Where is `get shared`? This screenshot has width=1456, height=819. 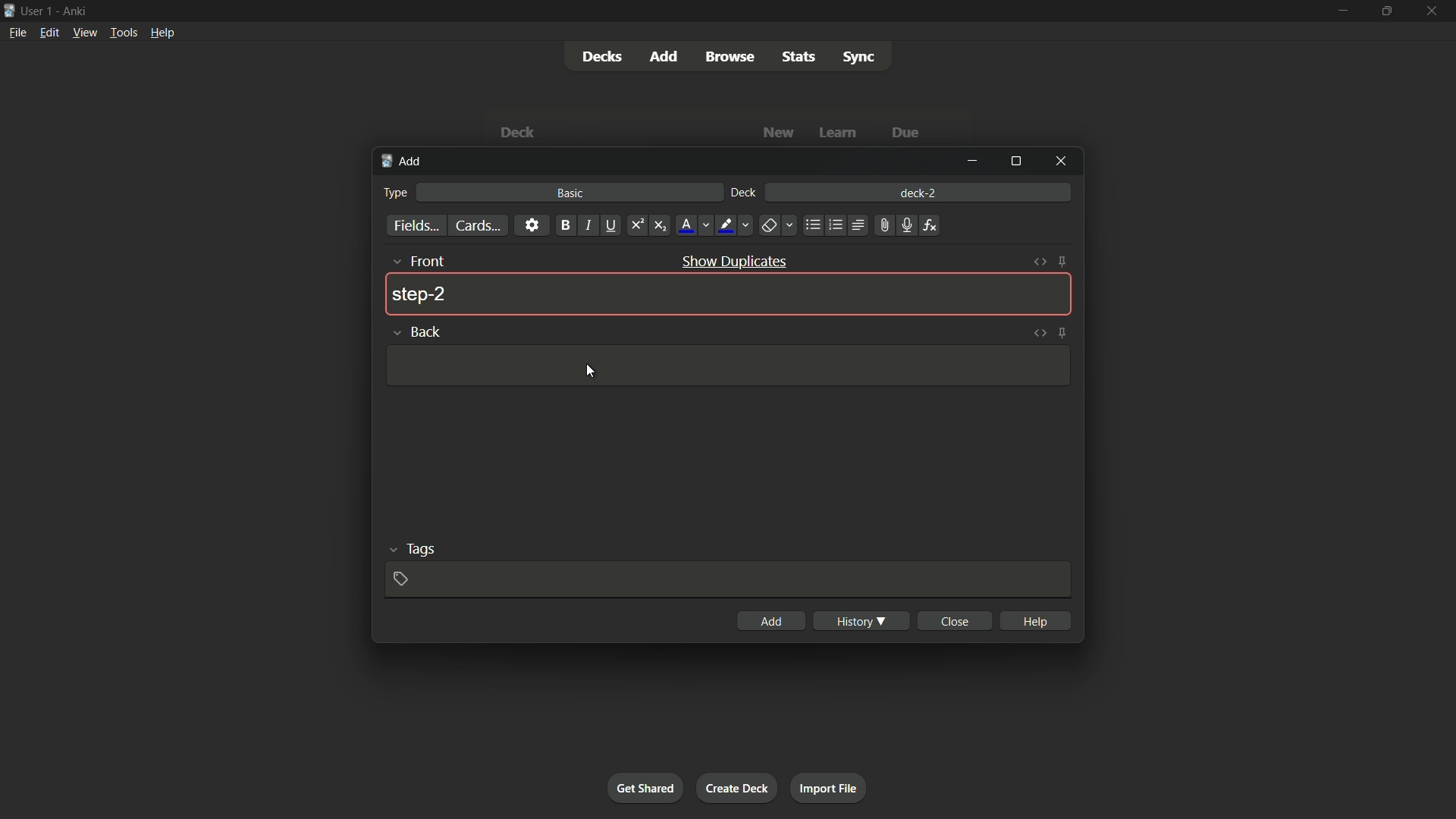
get shared is located at coordinates (647, 788).